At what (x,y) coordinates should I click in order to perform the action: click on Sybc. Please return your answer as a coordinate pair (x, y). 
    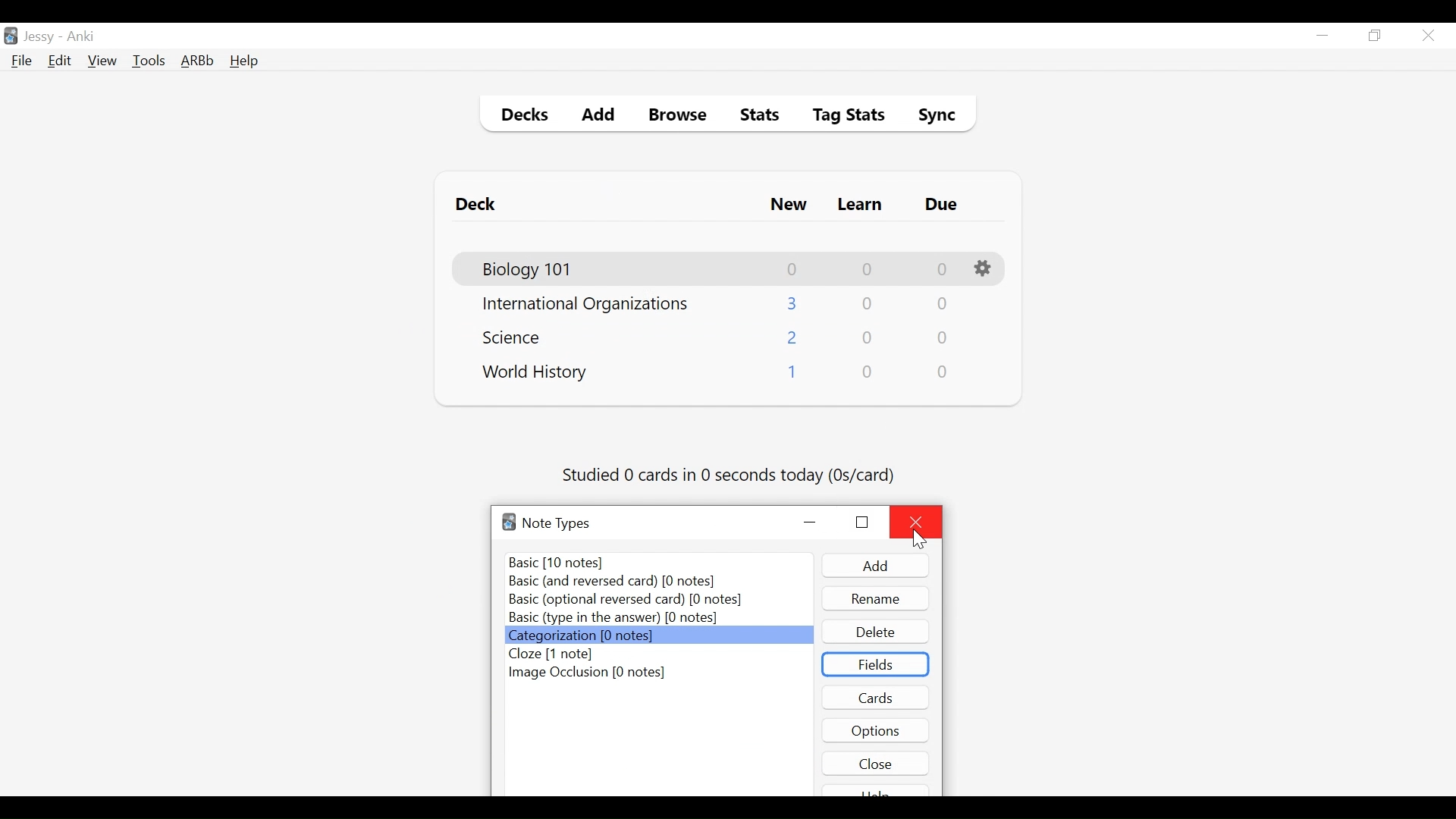
    Looking at the image, I should click on (931, 117).